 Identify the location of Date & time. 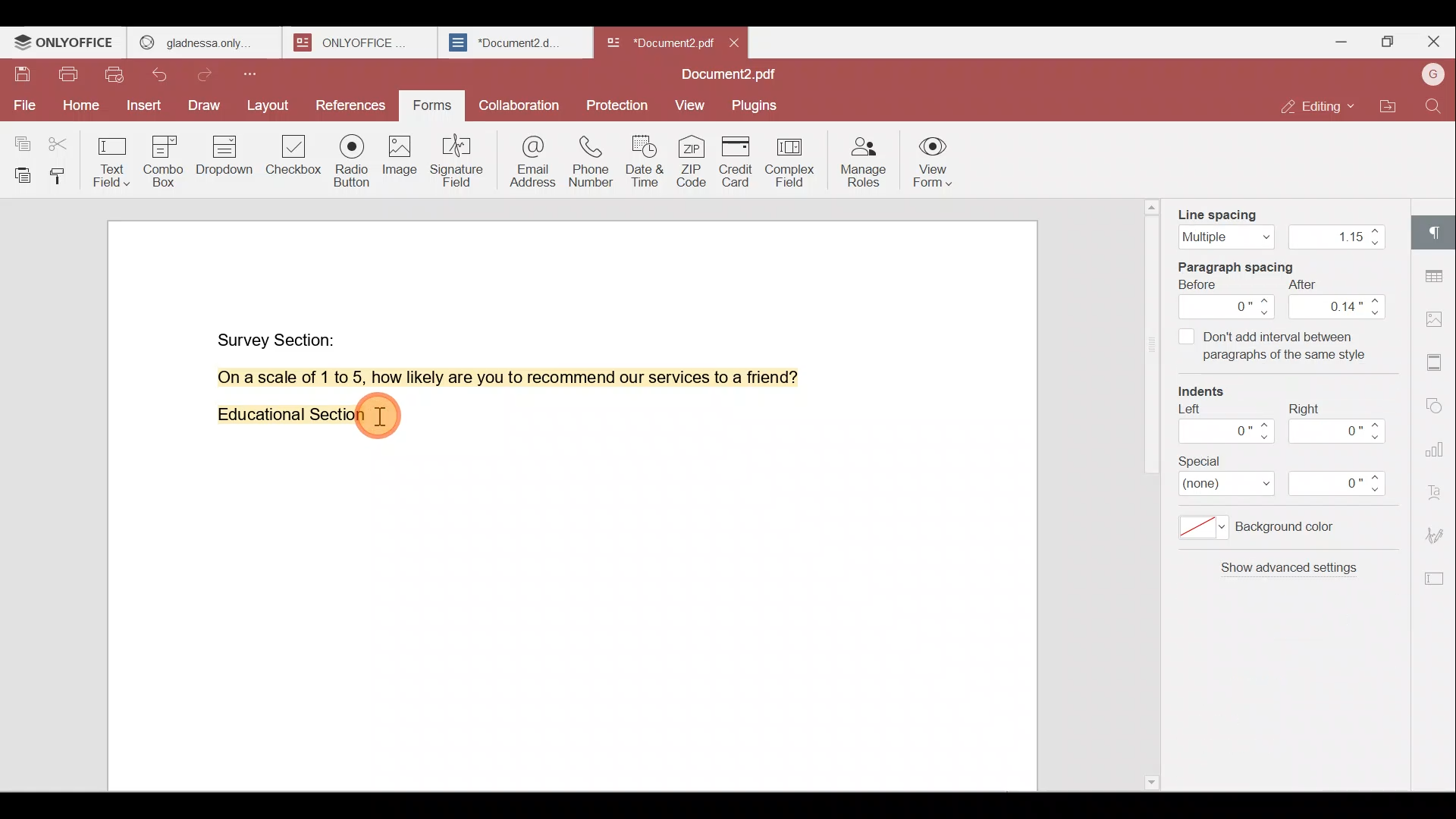
(642, 157).